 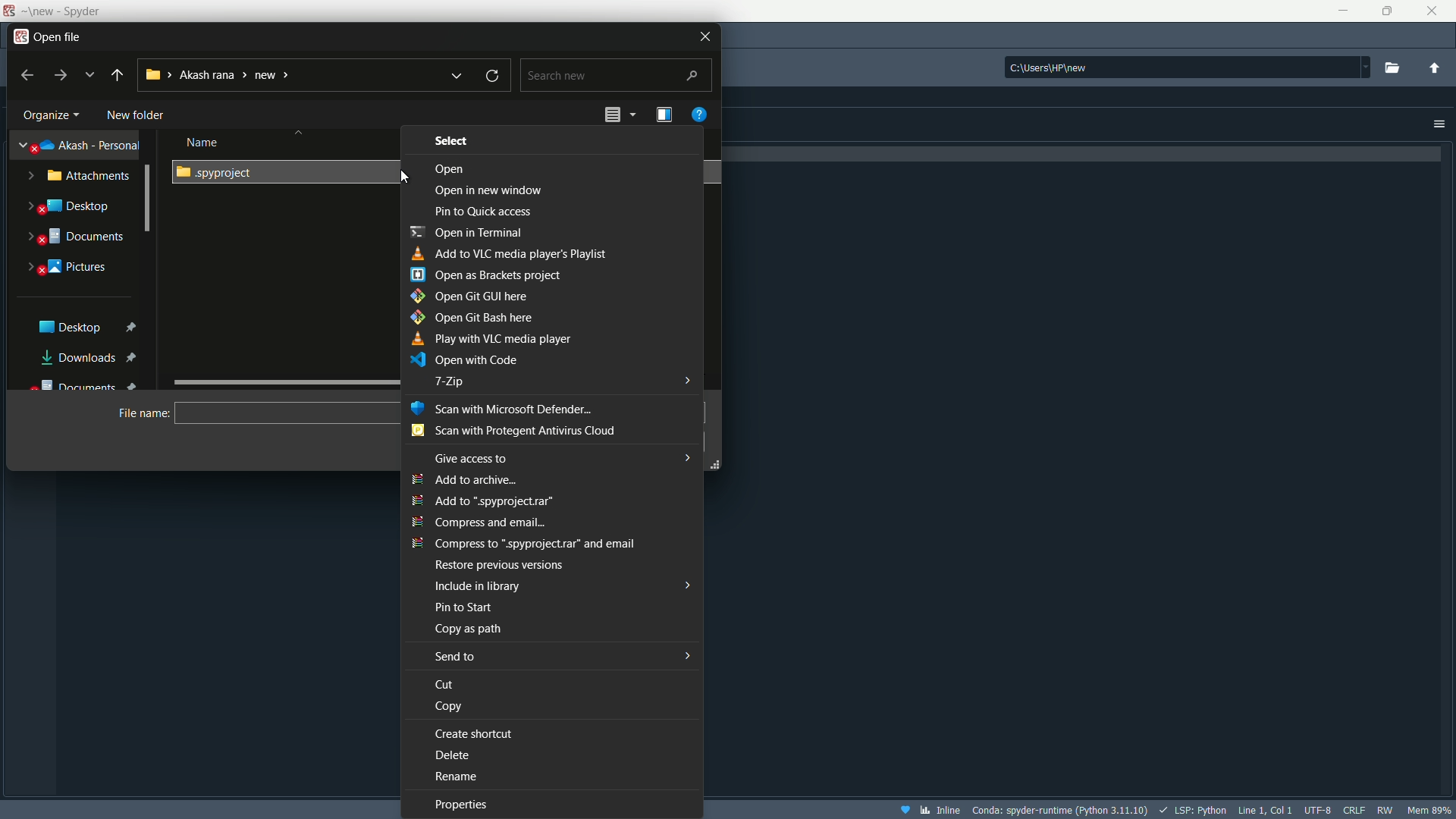 What do you see at coordinates (1394, 68) in the screenshot?
I see `browse a working directory` at bounding box center [1394, 68].